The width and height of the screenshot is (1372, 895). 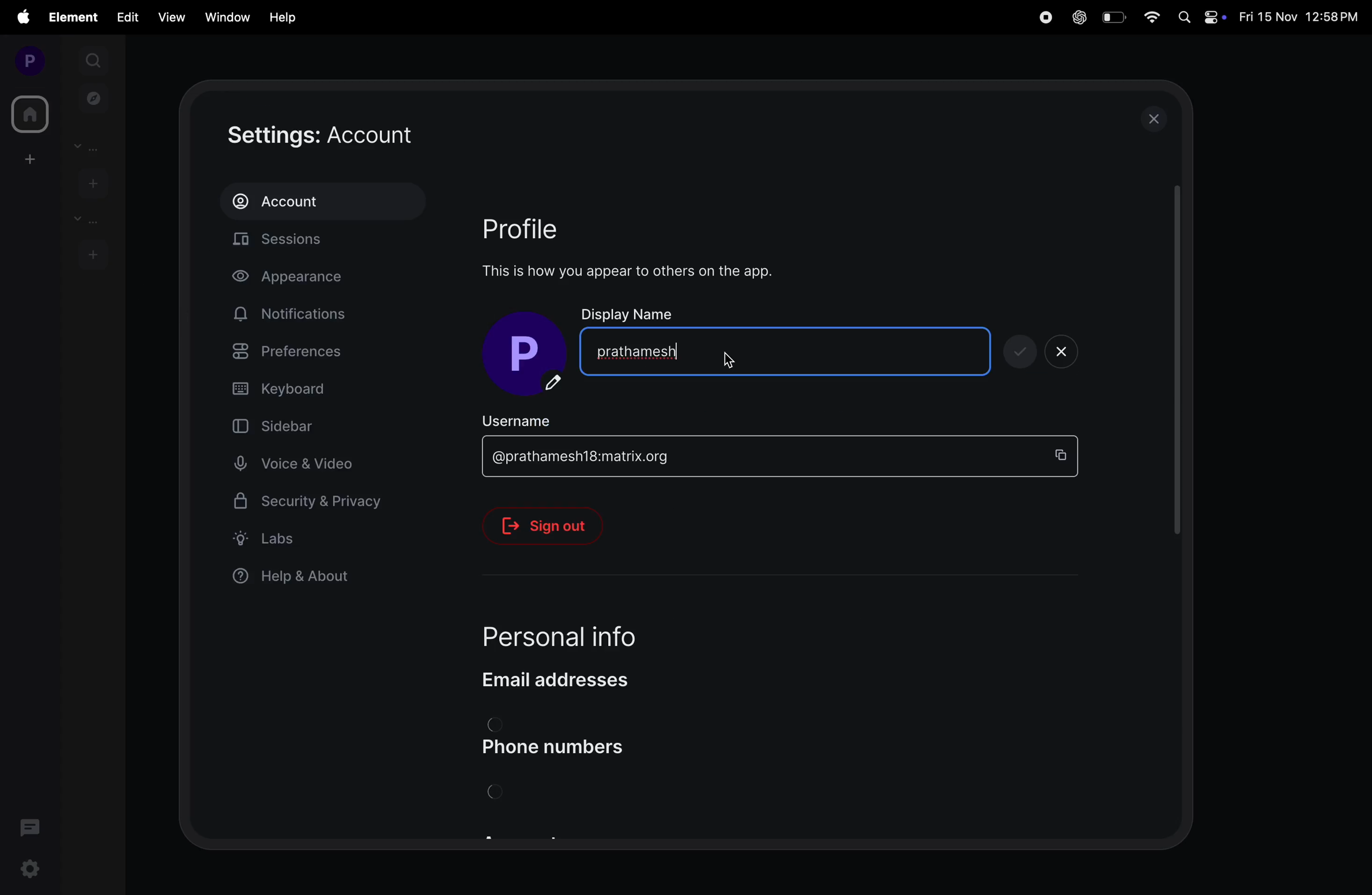 I want to click on wifi, so click(x=1153, y=18).